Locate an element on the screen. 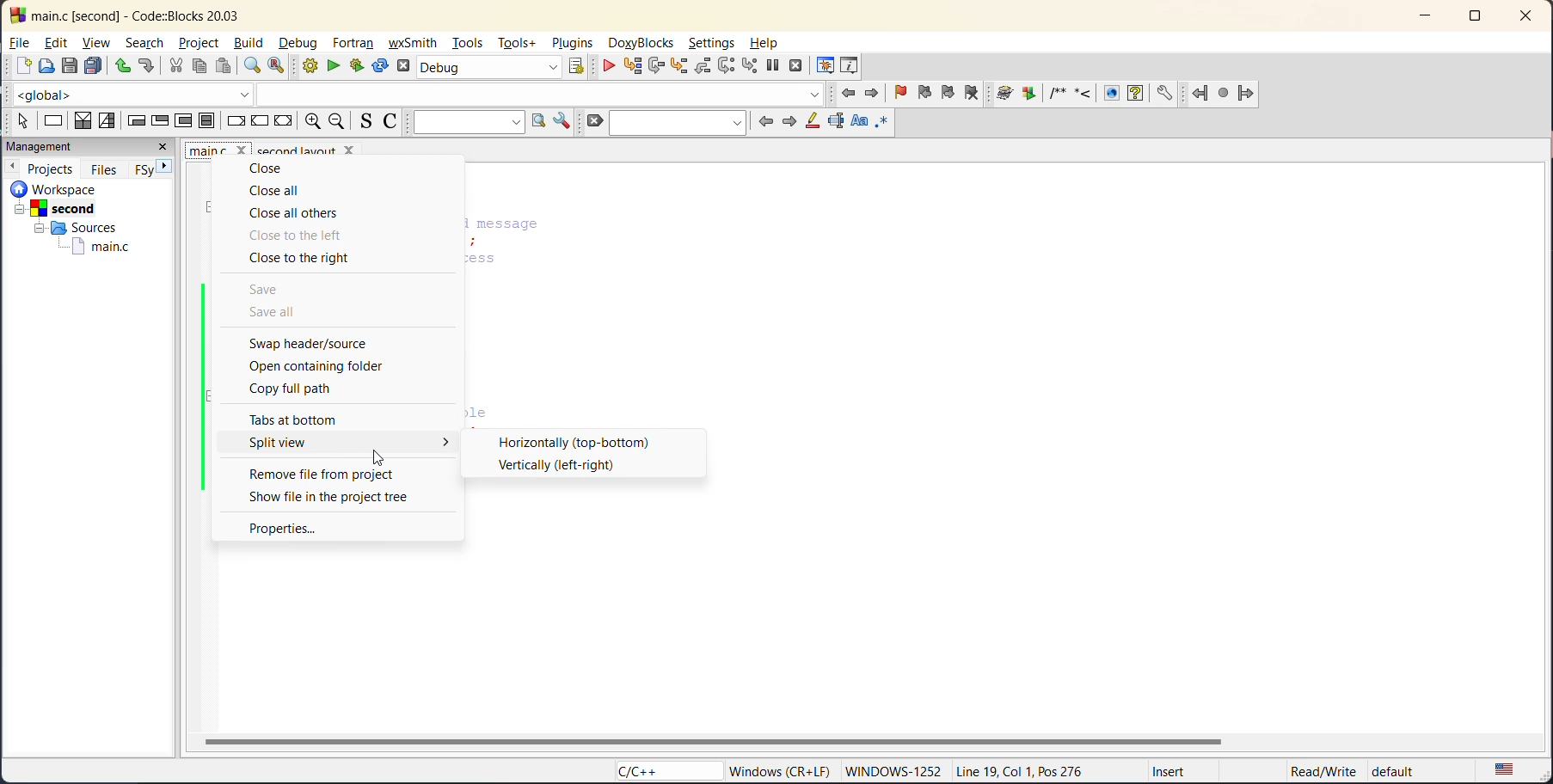  cut is located at coordinates (177, 67).